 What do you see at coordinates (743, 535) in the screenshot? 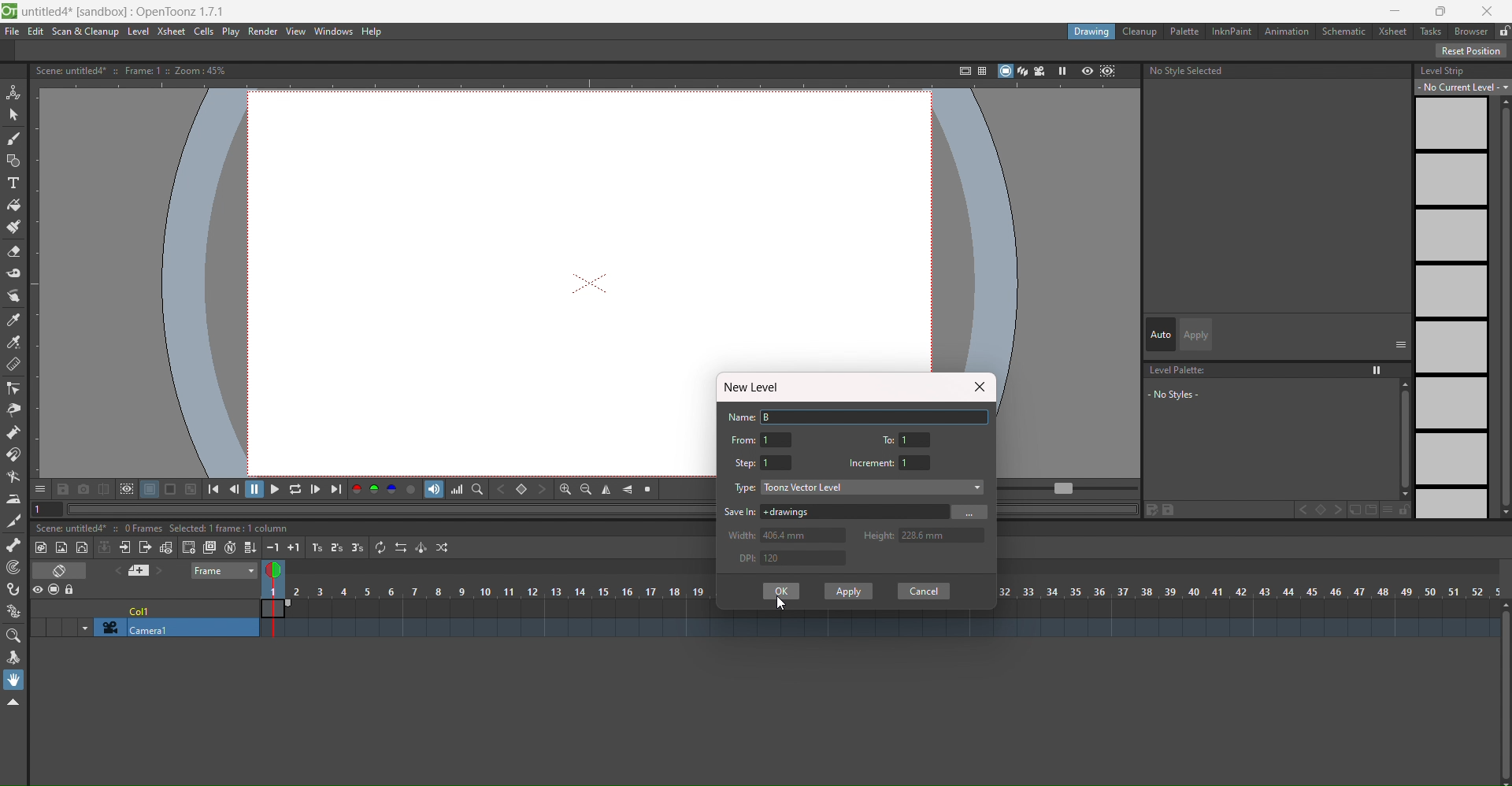
I see `width` at bounding box center [743, 535].